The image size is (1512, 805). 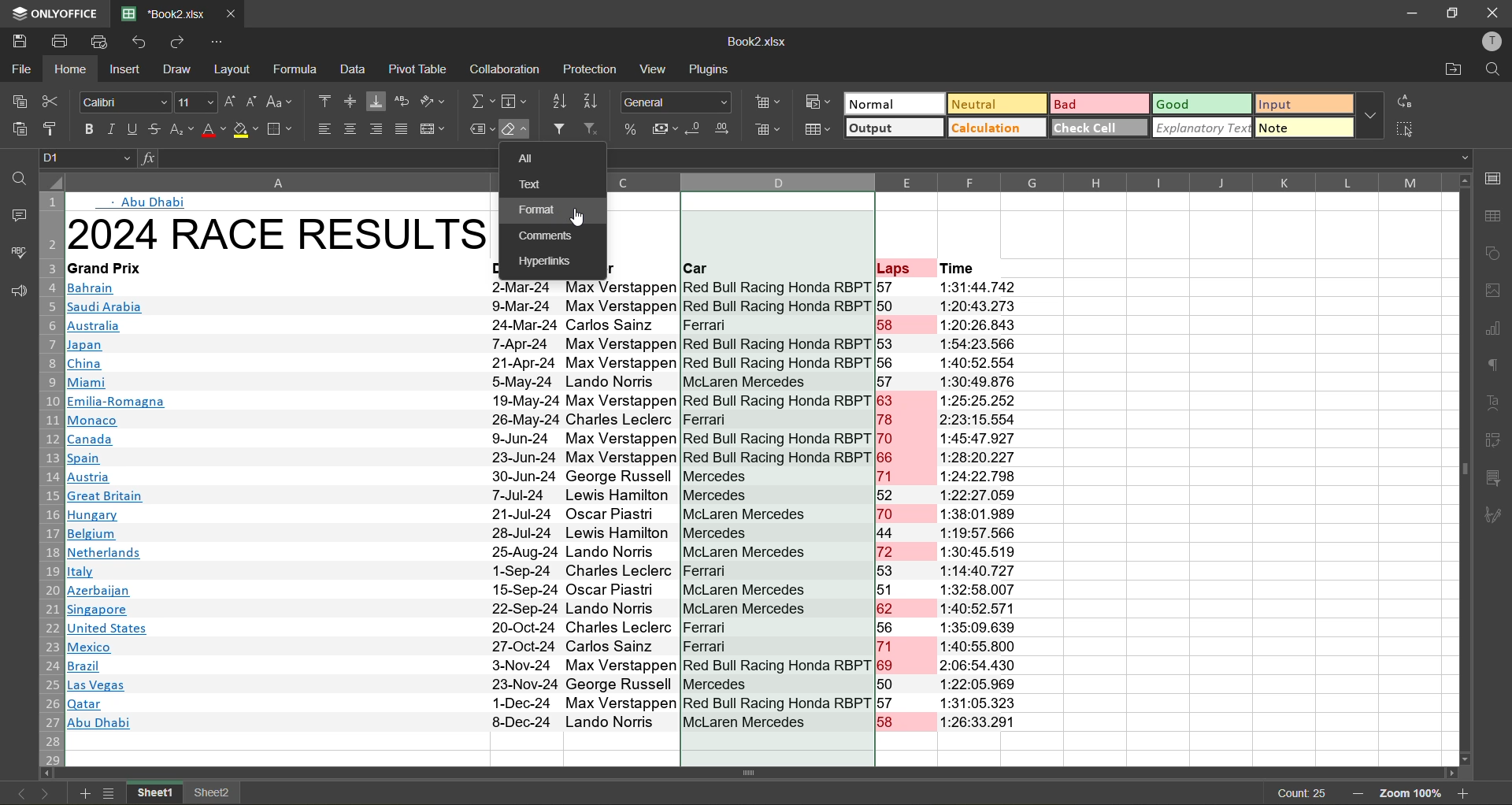 What do you see at coordinates (1497, 443) in the screenshot?
I see `pivot table` at bounding box center [1497, 443].